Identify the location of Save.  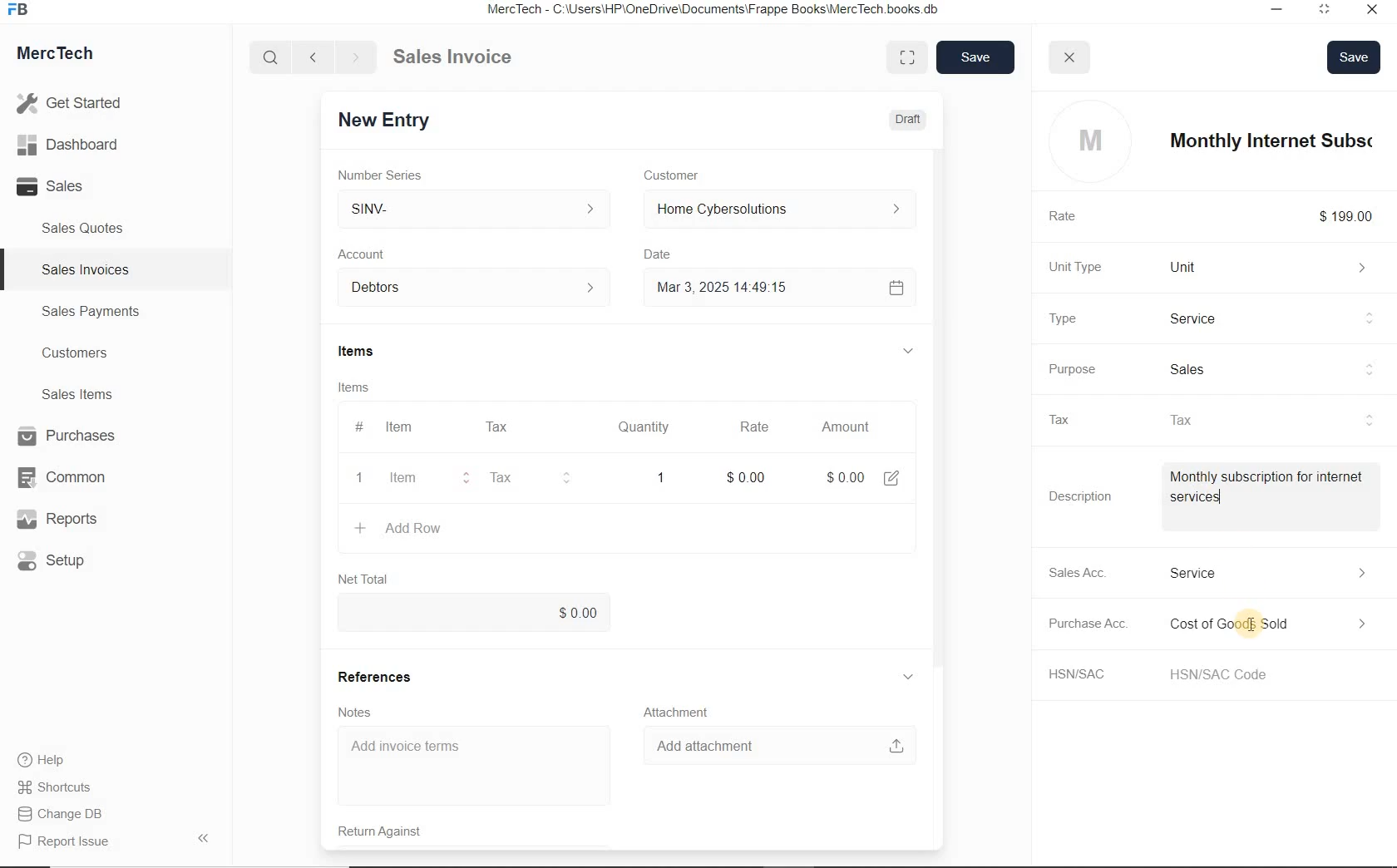
(1355, 55).